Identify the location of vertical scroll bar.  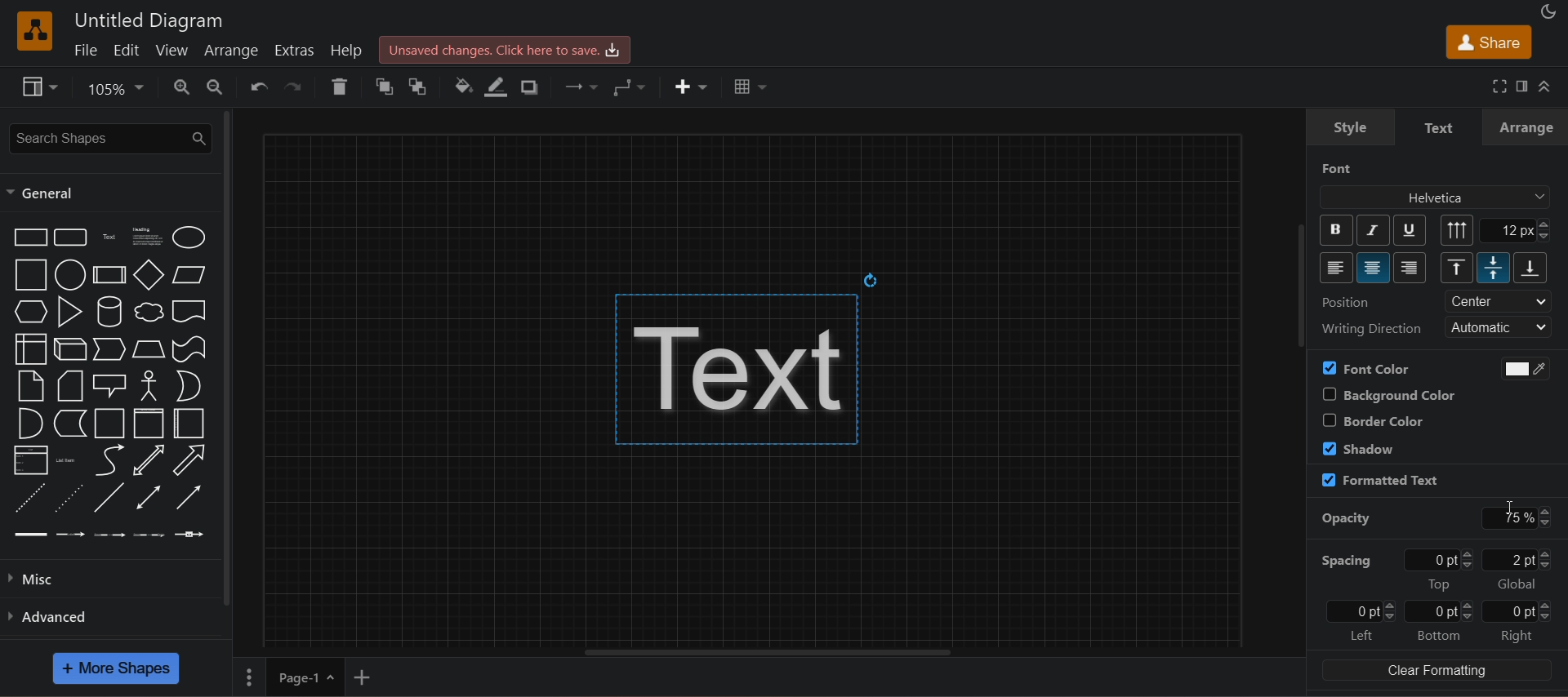
(1304, 290).